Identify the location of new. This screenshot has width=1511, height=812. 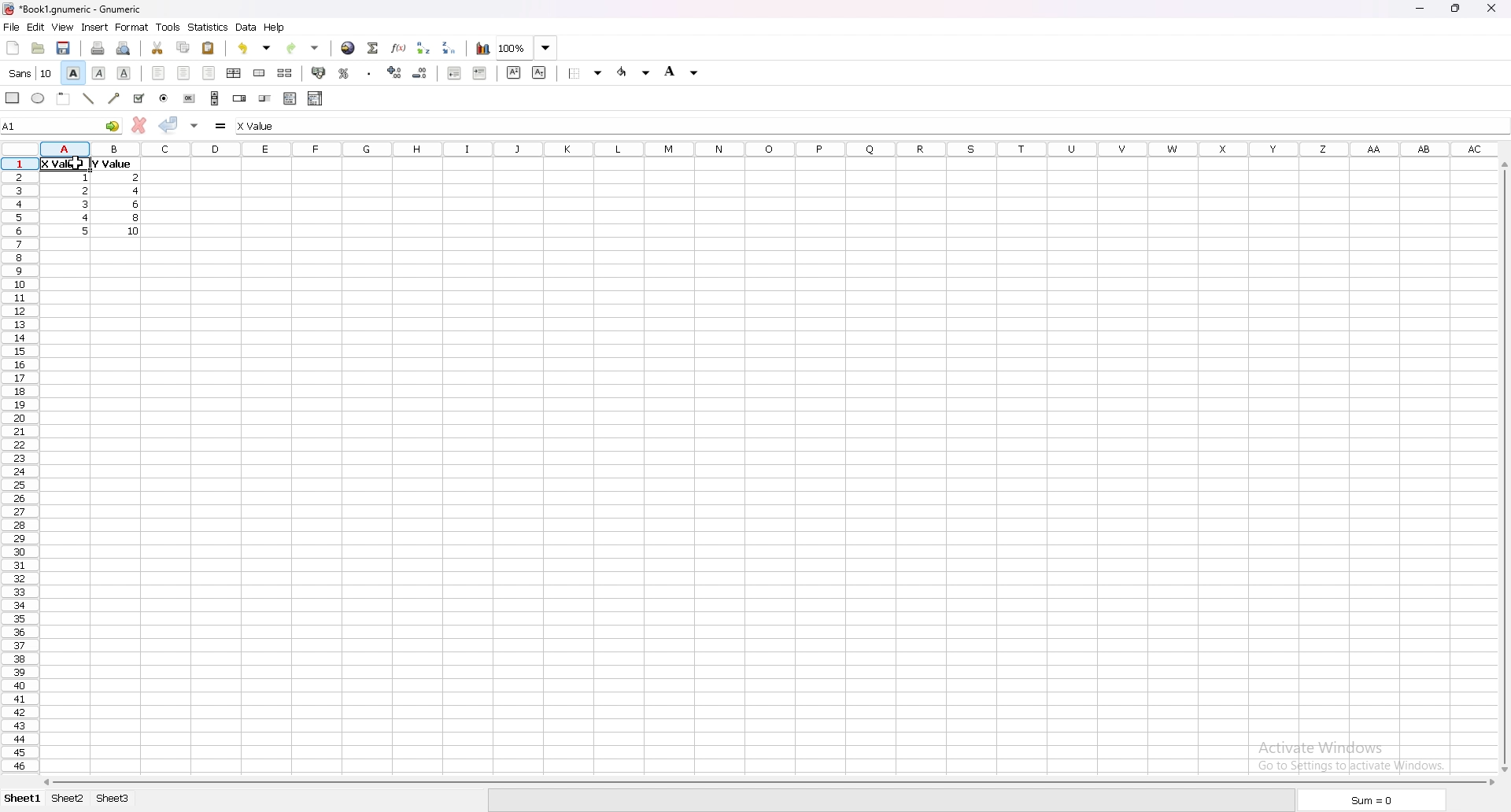
(13, 47).